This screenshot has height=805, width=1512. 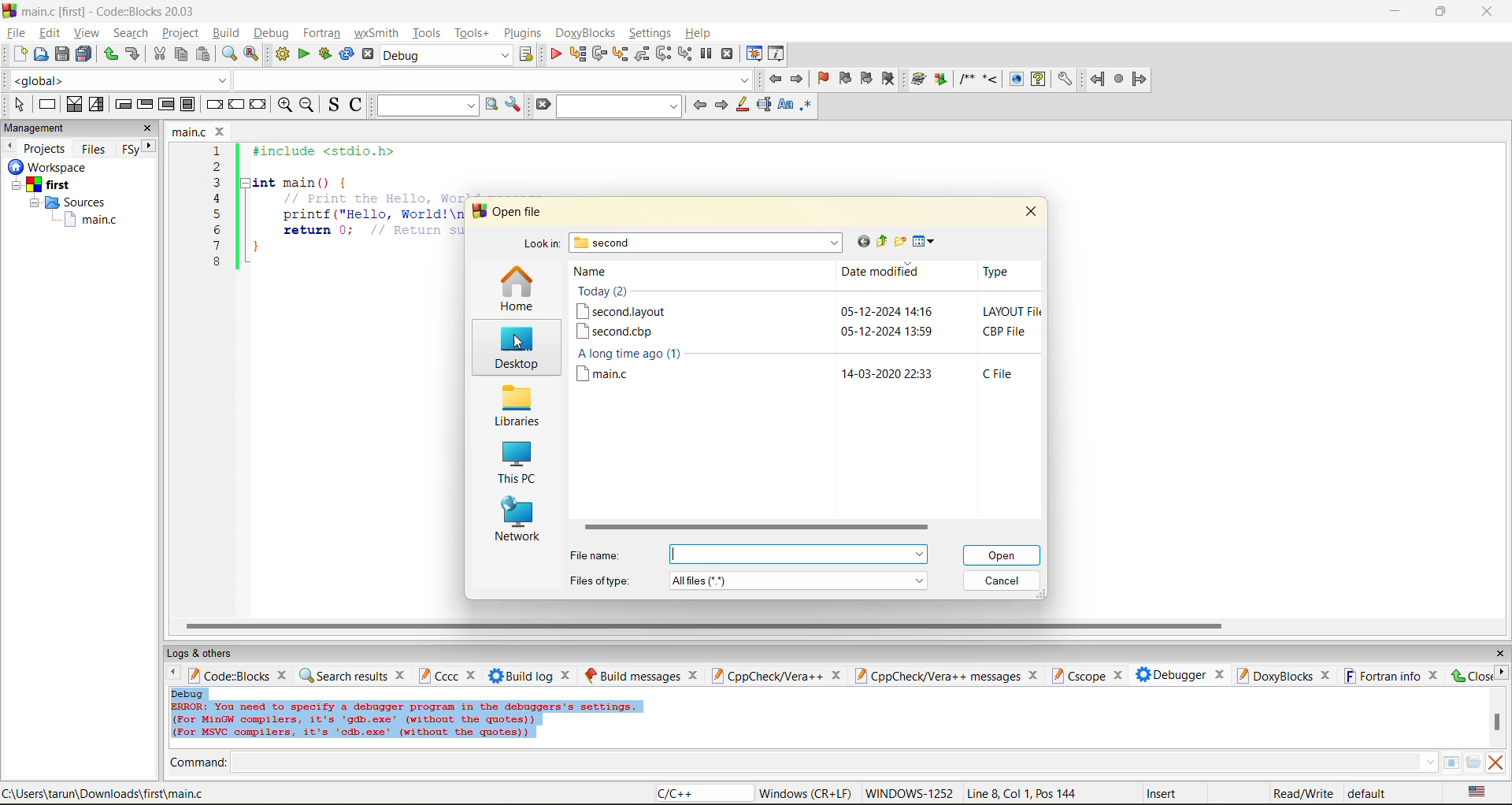 What do you see at coordinates (228, 54) in the screenshot?
I see `find` at bounding box center [228, 54].